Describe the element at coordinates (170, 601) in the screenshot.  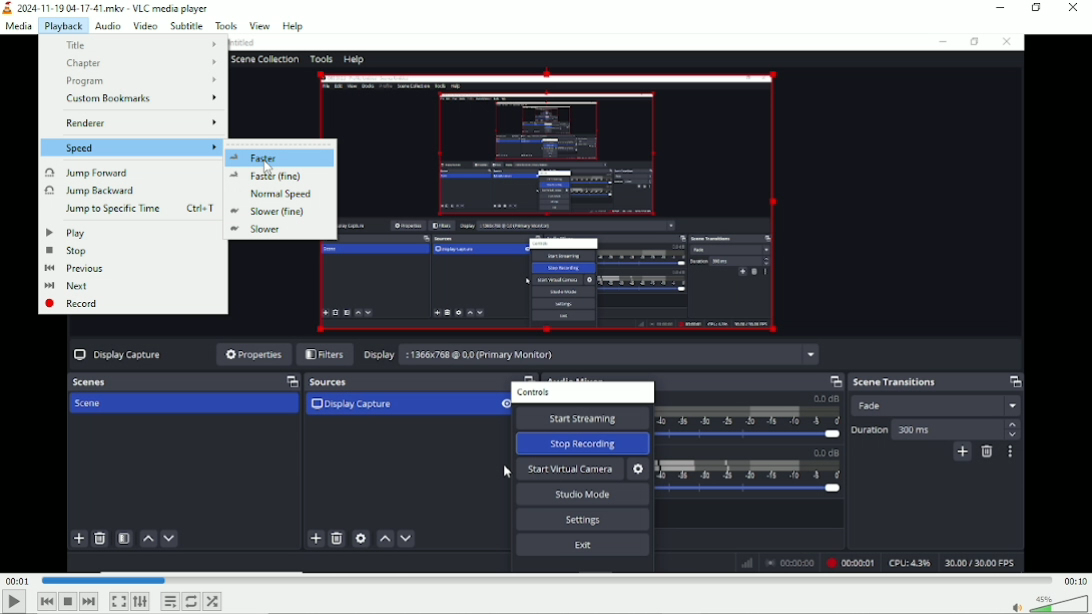
I see `Toggle playlist` at that location.